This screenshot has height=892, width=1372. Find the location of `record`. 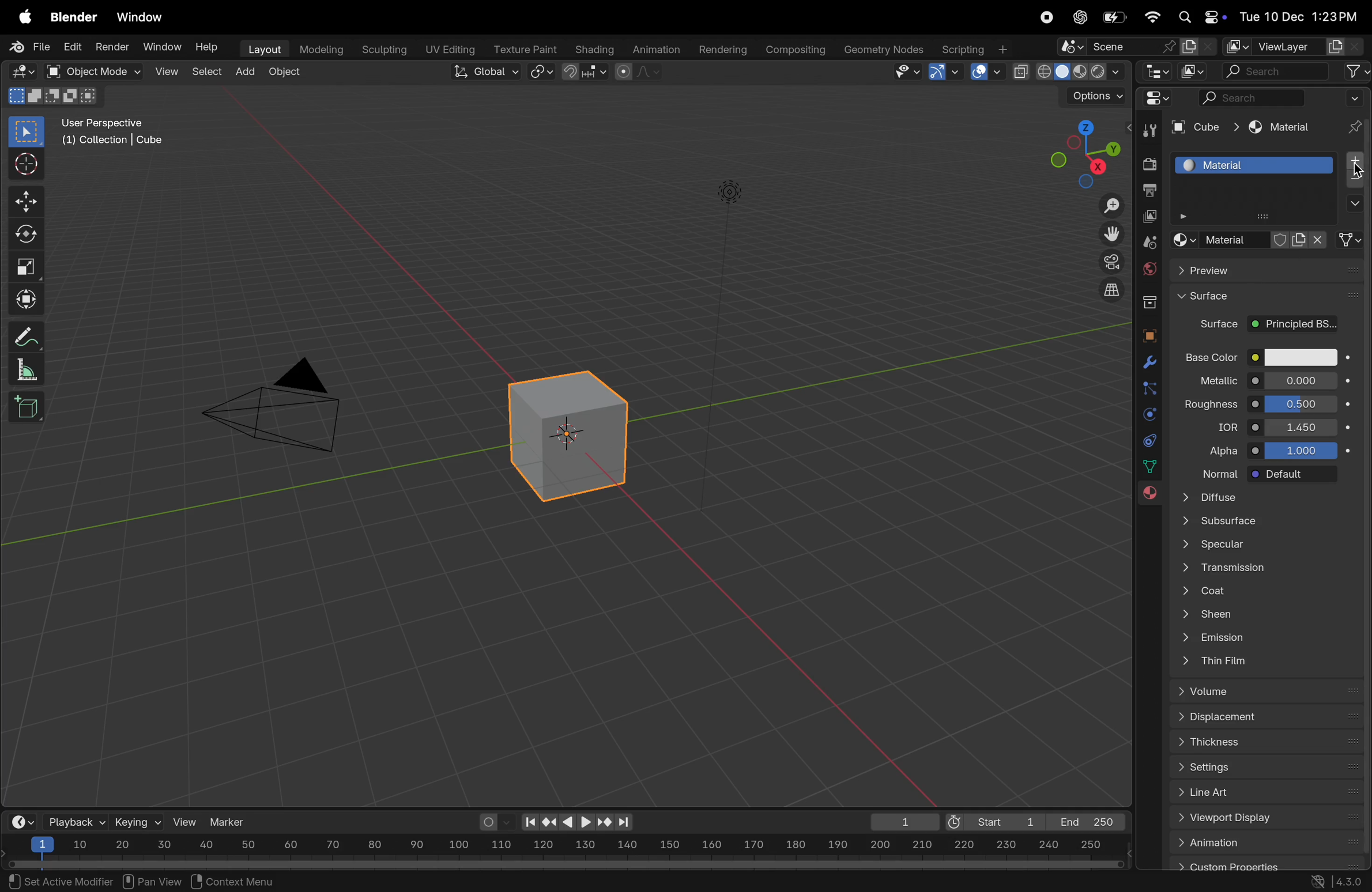

record is located at coordinates (1046, 18).